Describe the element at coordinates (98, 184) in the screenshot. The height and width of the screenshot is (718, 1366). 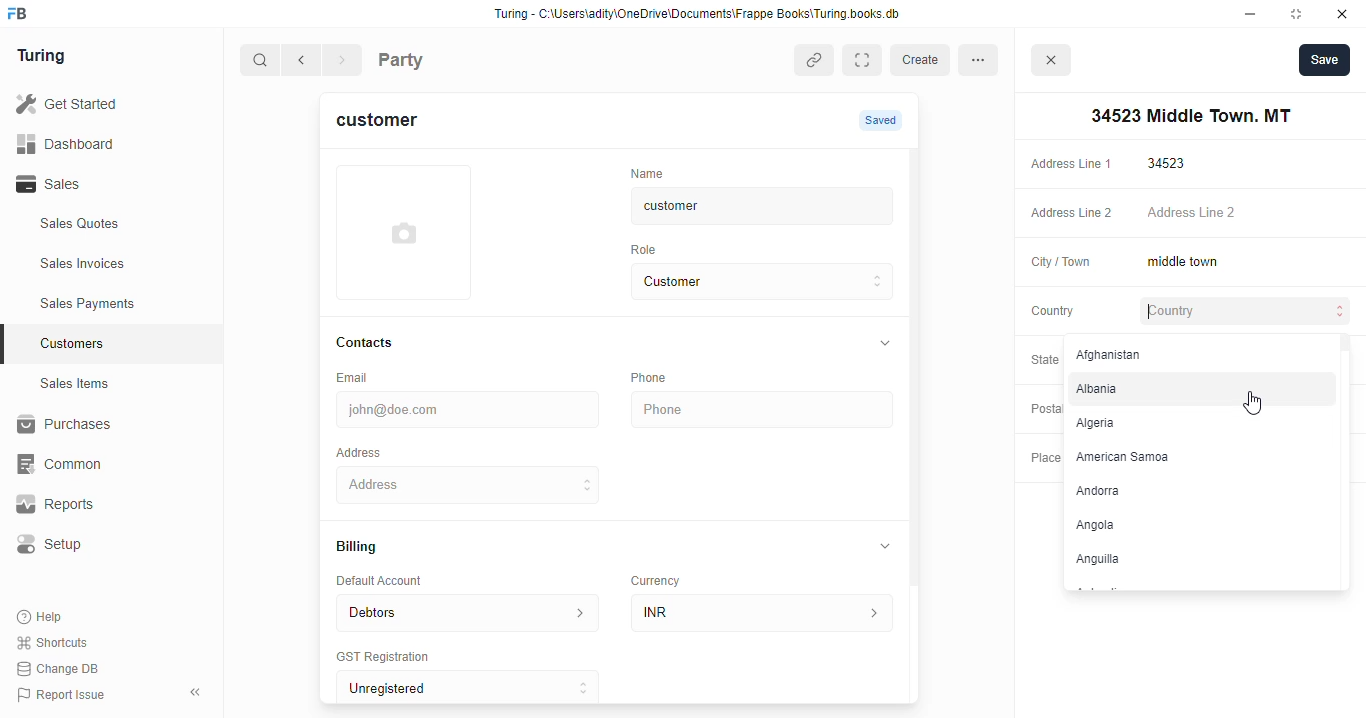
I see `Sales` at that location.